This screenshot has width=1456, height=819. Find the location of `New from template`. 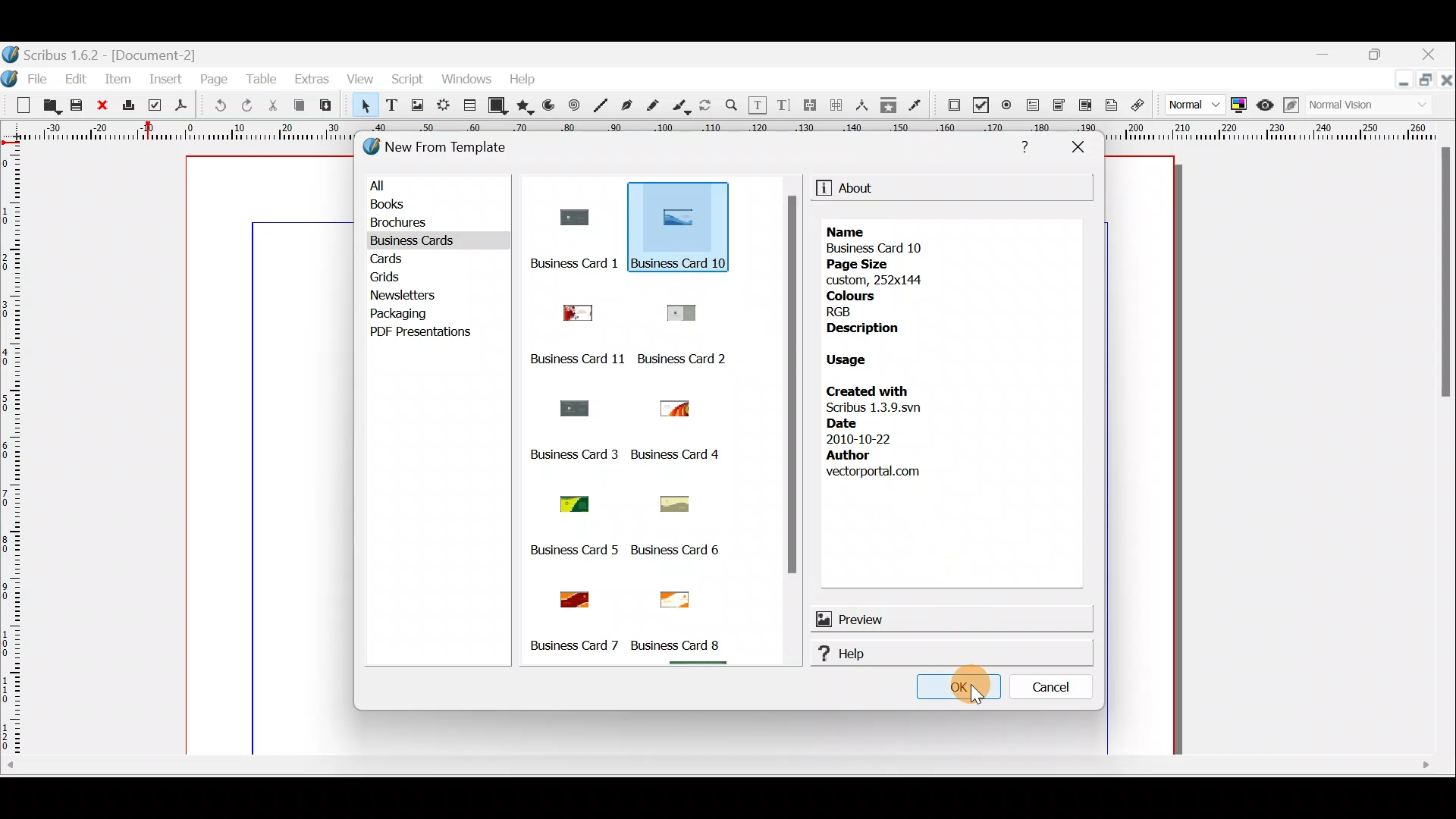

New from template is located at coordinates (447, 149).